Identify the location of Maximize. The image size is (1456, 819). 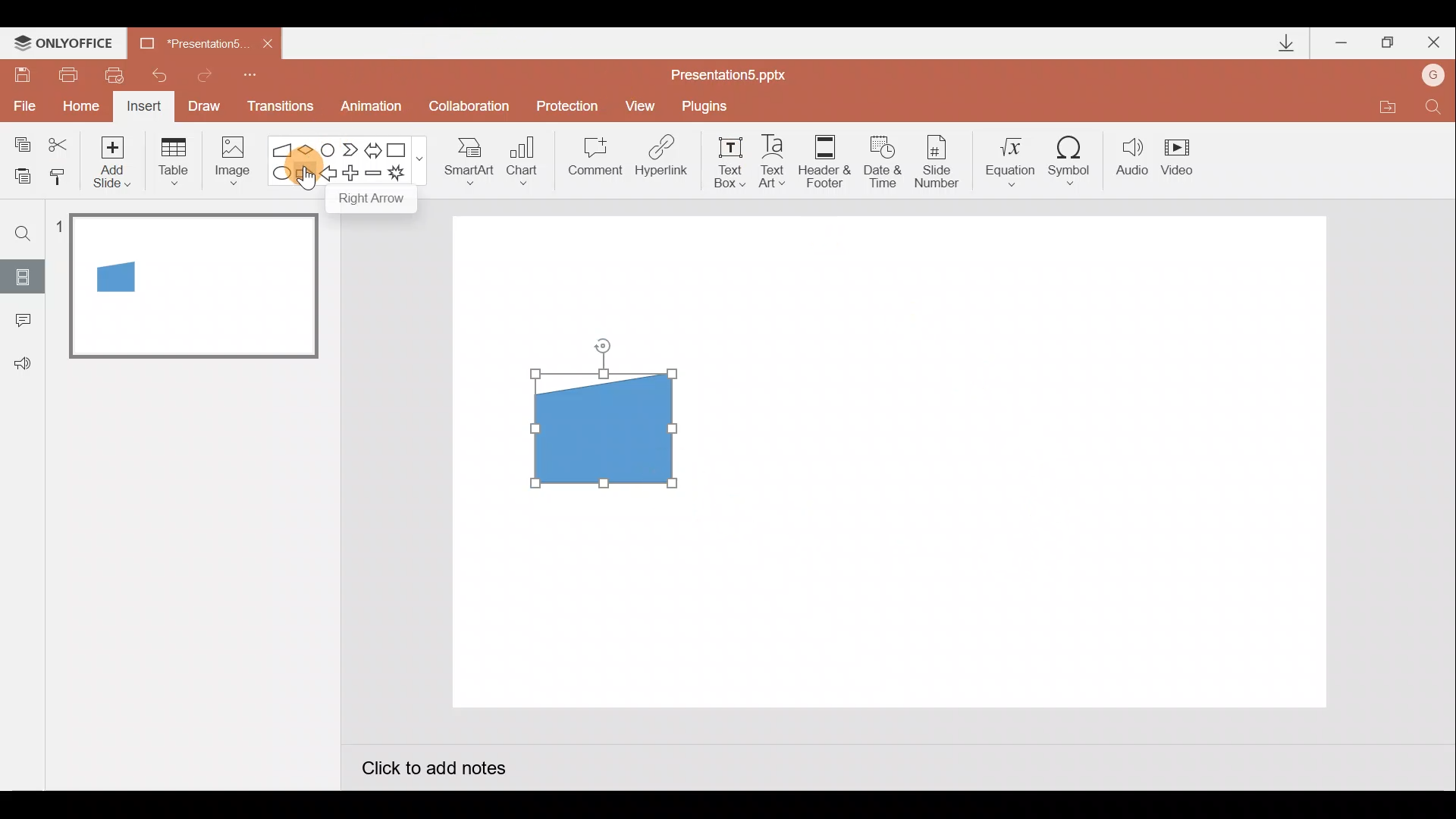
(1388, 43).